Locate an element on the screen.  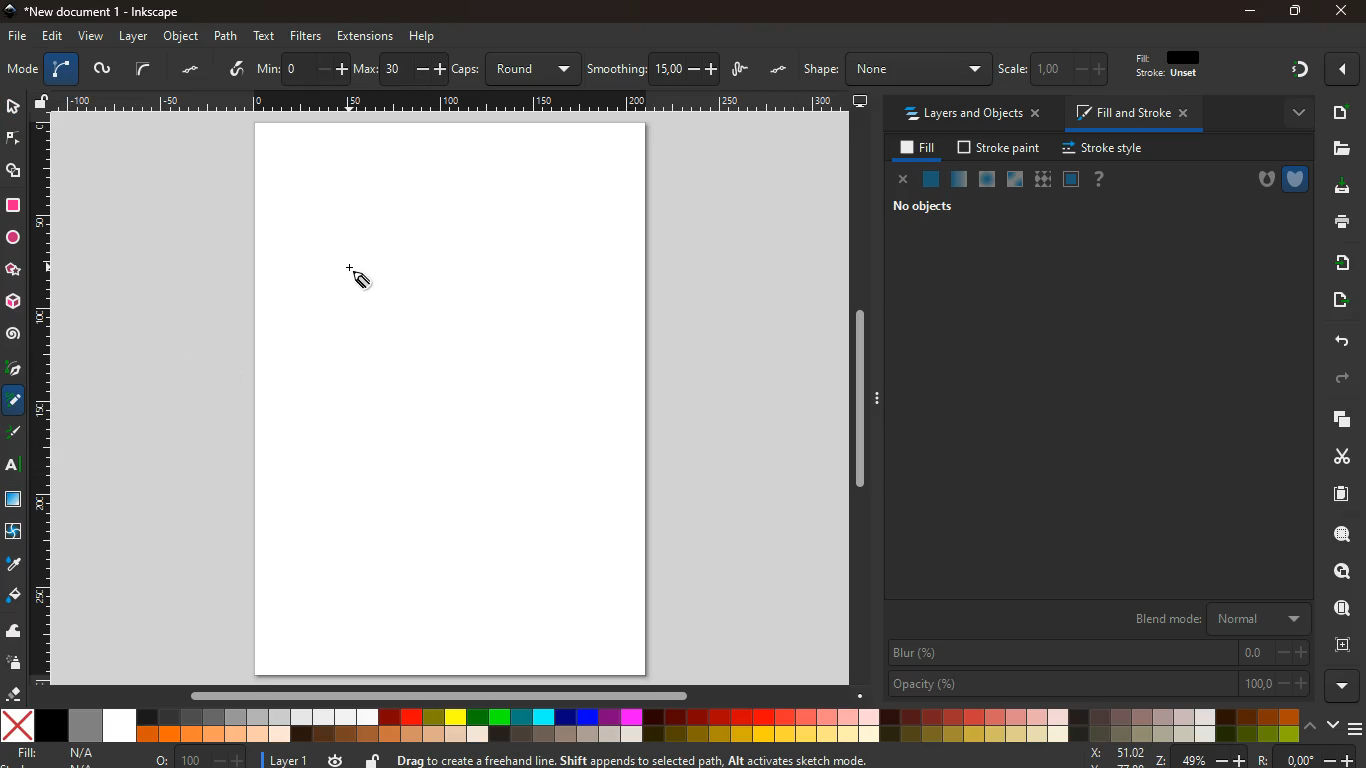
Text tool is located at coordinates (18, 465).